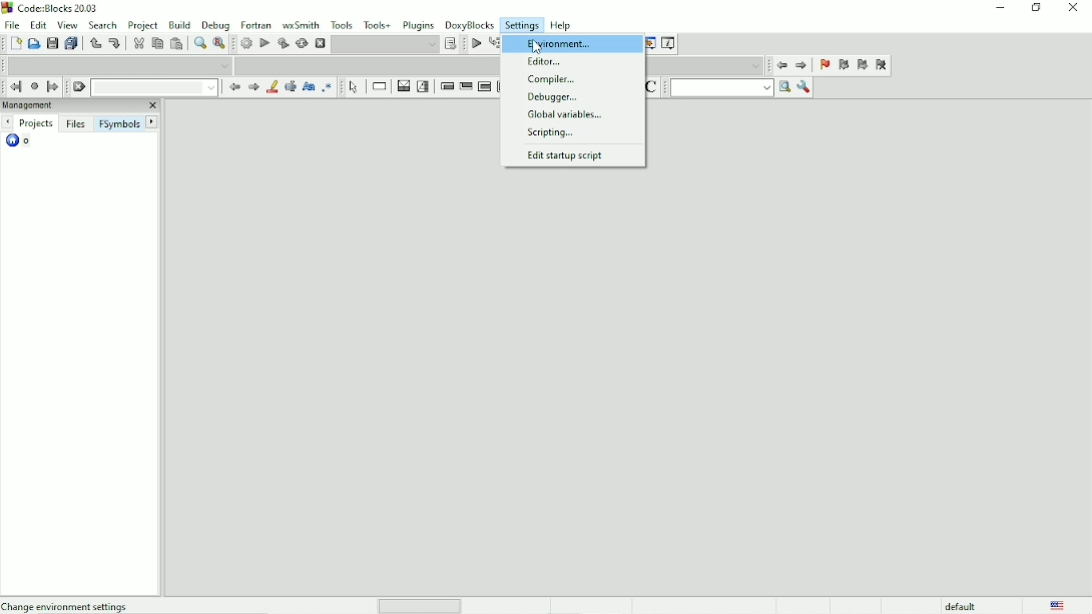 Image resolution: width=1092 pixels, height=614 pixels. What do you see at coordinates (653, 87) in the screenshot?
I see `Toggle comments` at bounding box center [653, 87].